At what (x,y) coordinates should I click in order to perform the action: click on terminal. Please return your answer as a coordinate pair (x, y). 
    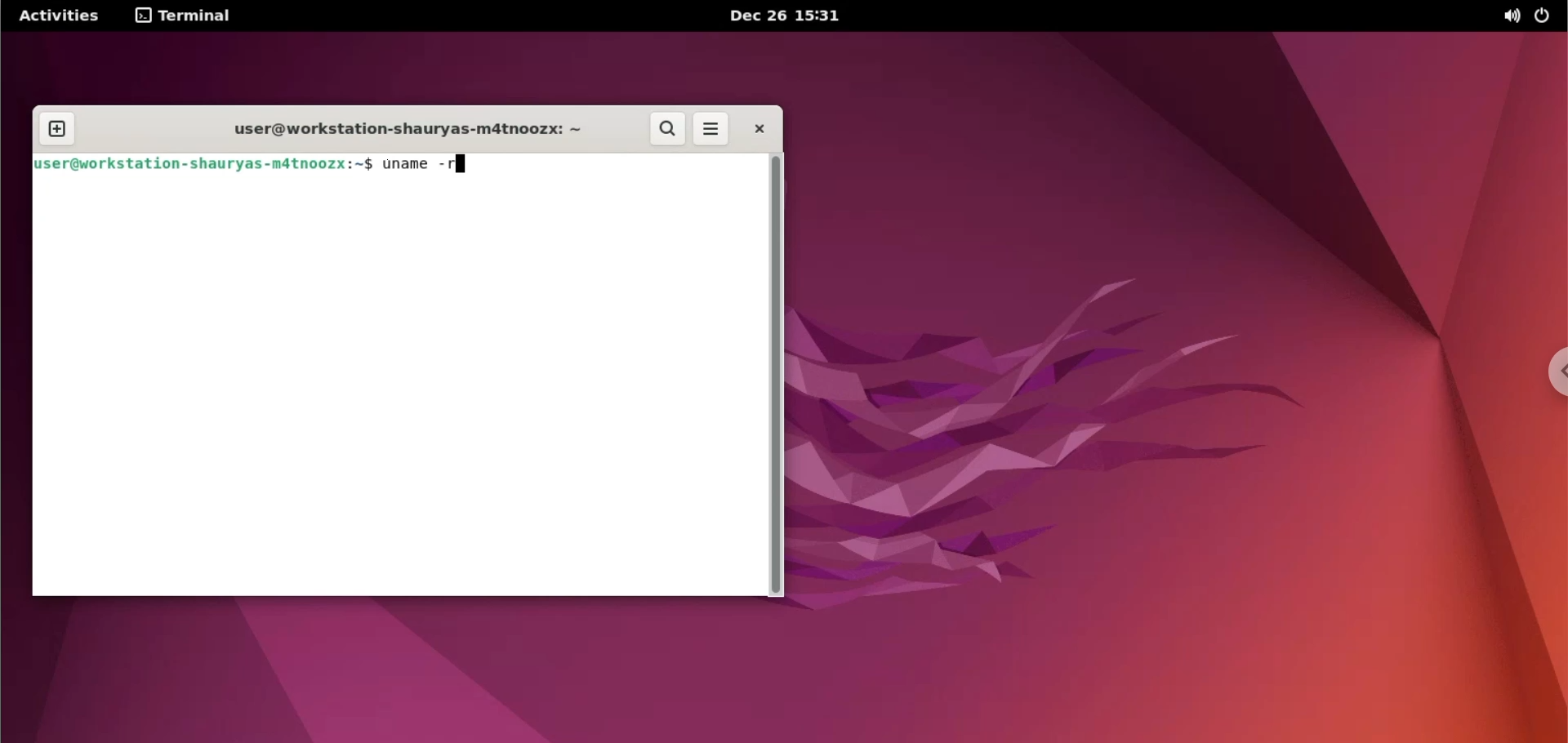
    Looking at the image, I should click on (189, 18).